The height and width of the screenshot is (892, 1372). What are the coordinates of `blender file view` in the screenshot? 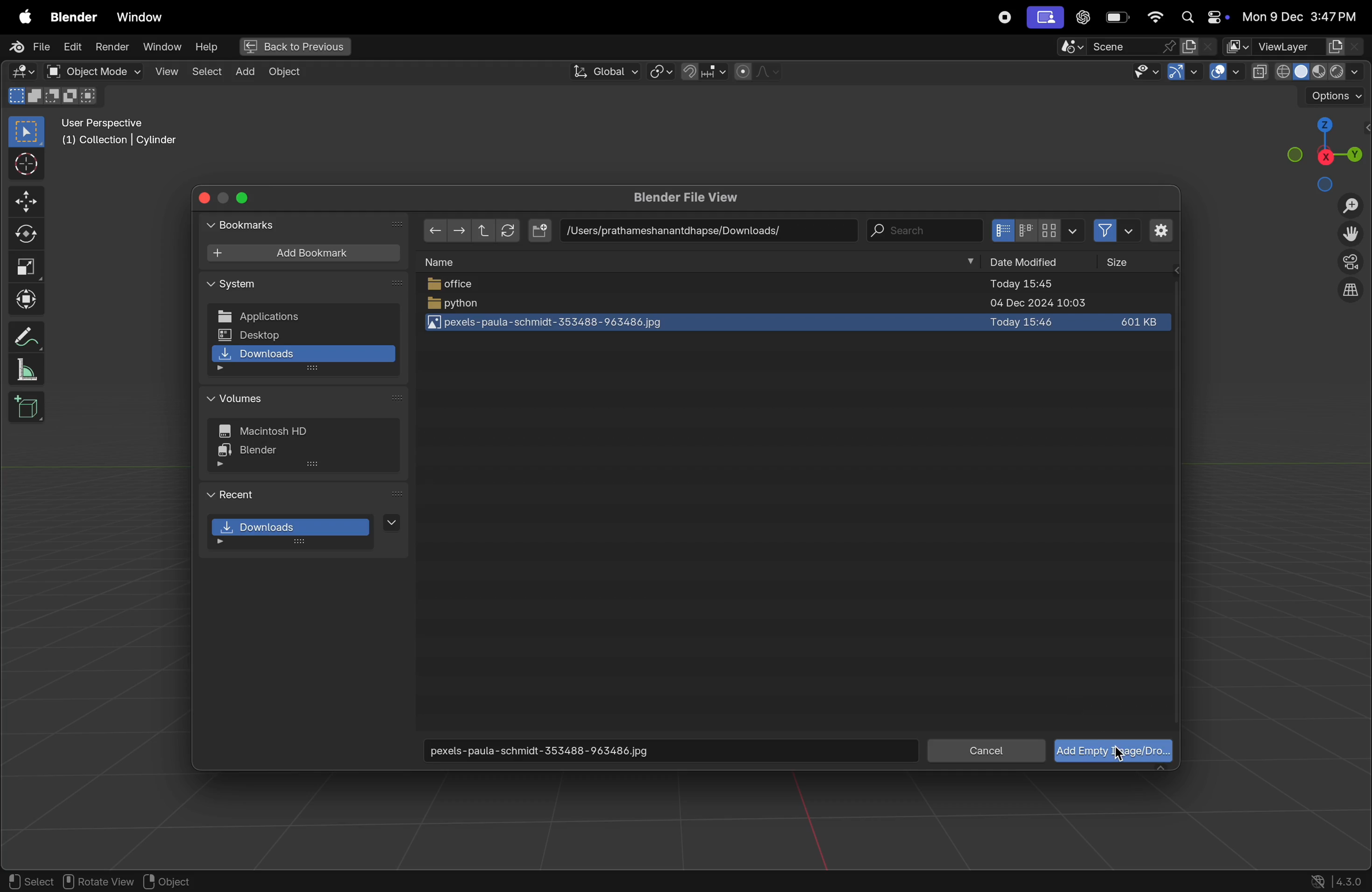 It's located at (696, 198).